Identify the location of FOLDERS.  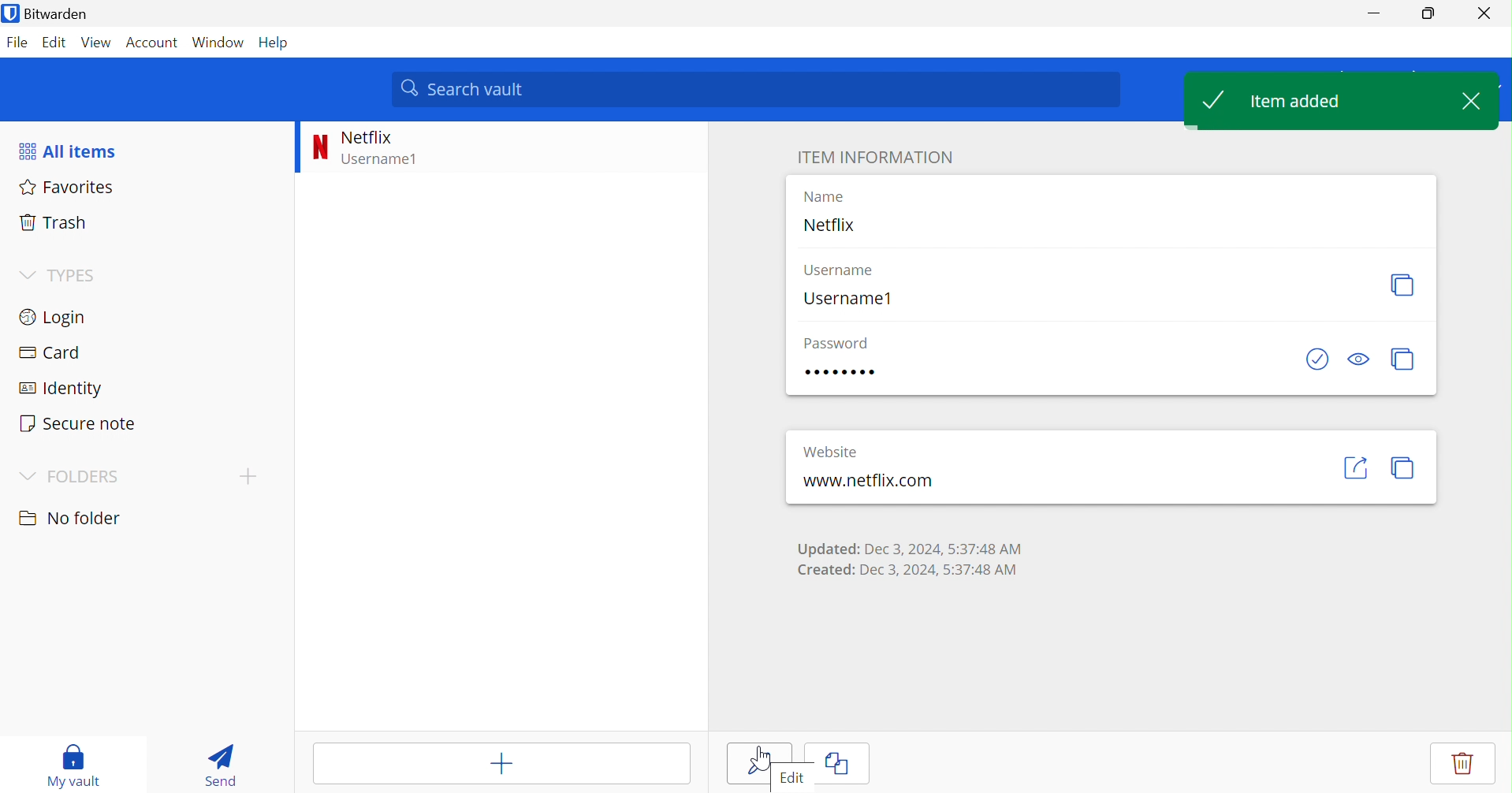
(67, 478).